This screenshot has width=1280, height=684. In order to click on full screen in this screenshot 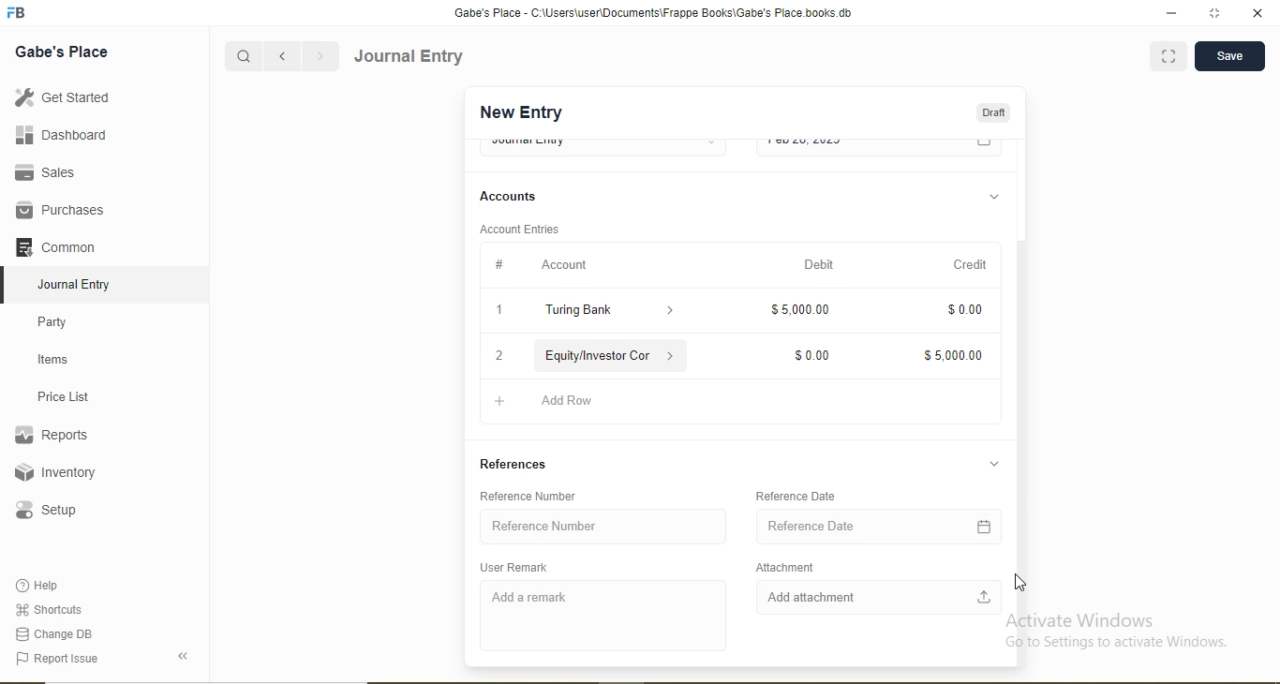, I will do `click(1215, 13)`.